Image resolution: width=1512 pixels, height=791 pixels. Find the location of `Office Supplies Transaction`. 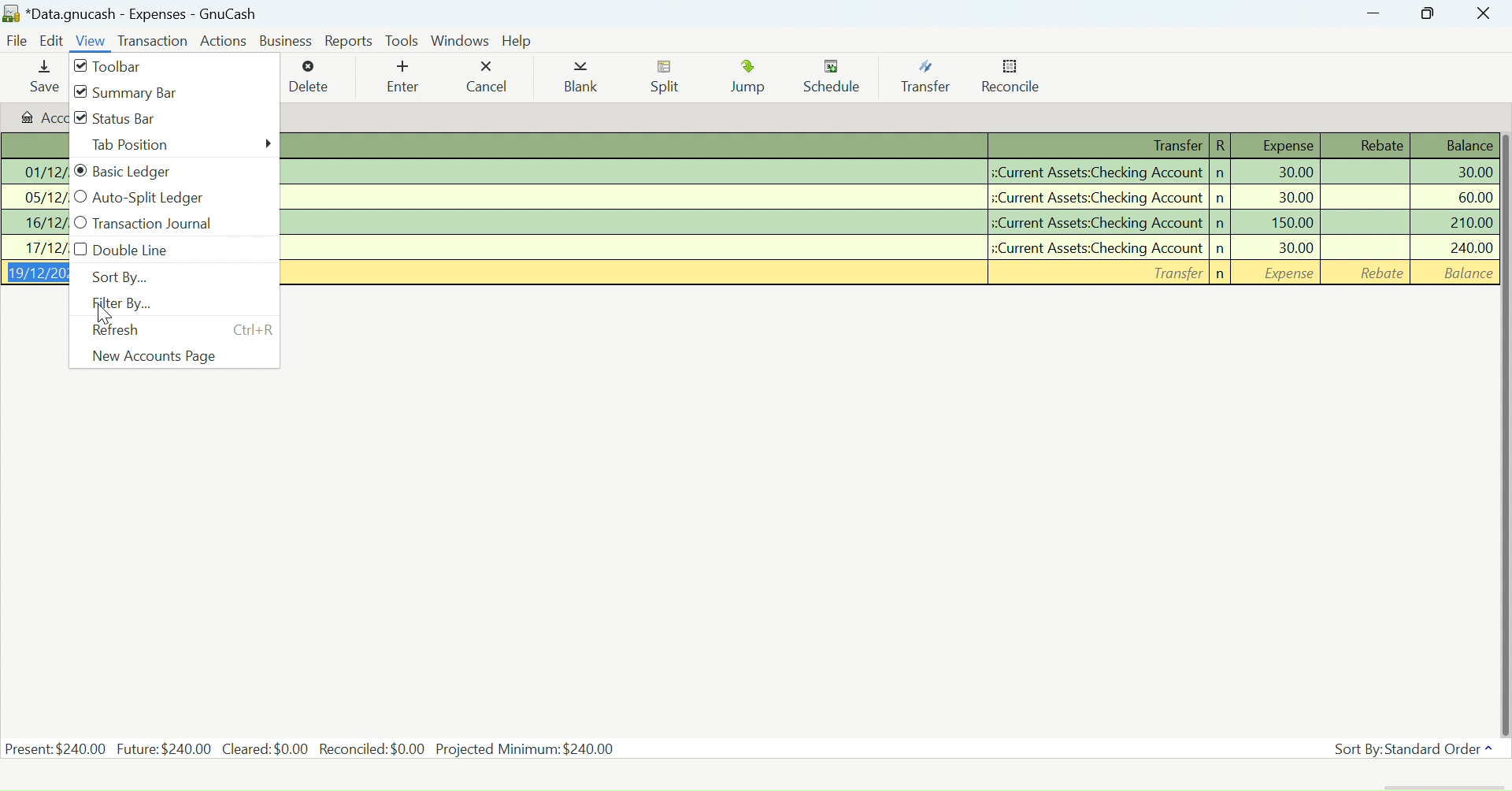

Office Supplies Transaction is located at coordinates (890, 198).